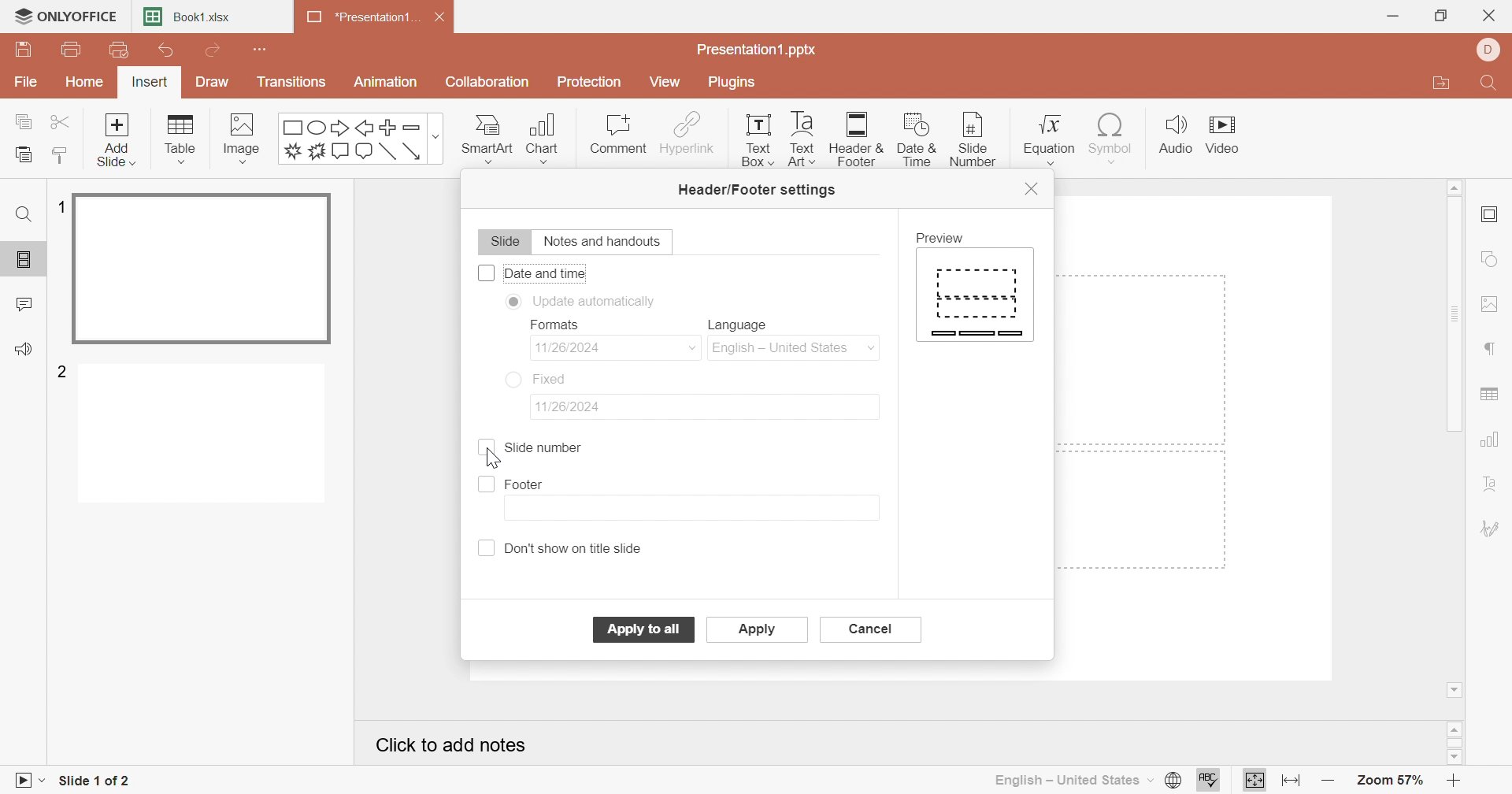  What do you see at coordinates (28, 778) in the screenshot?
I see `Start Slideshow` at bounding box center [28, 778].